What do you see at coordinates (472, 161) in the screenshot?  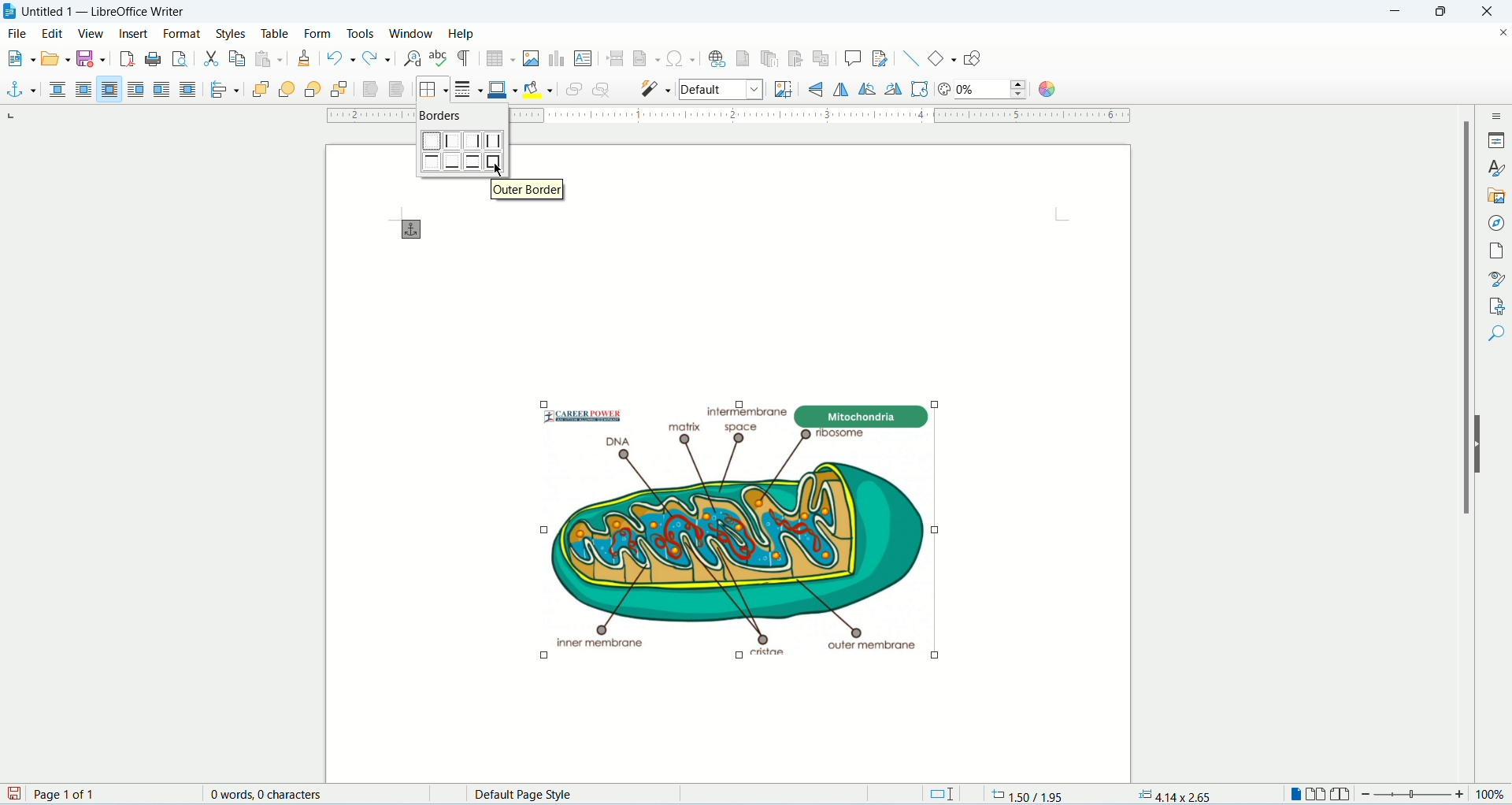 I see `top and bottom border` at bounding box center [472, 161].